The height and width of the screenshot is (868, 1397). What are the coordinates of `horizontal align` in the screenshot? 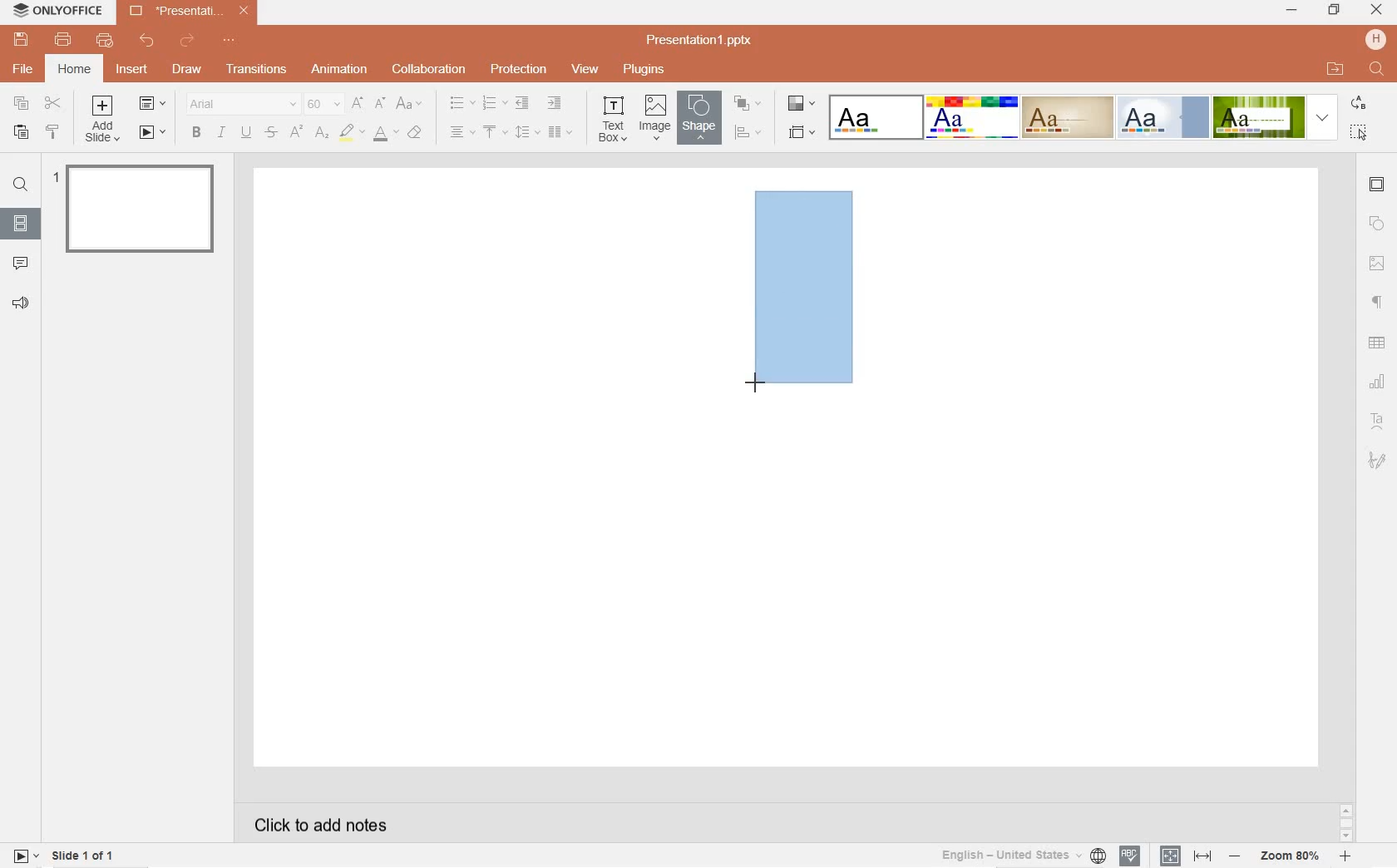 It's located at (462, 133).